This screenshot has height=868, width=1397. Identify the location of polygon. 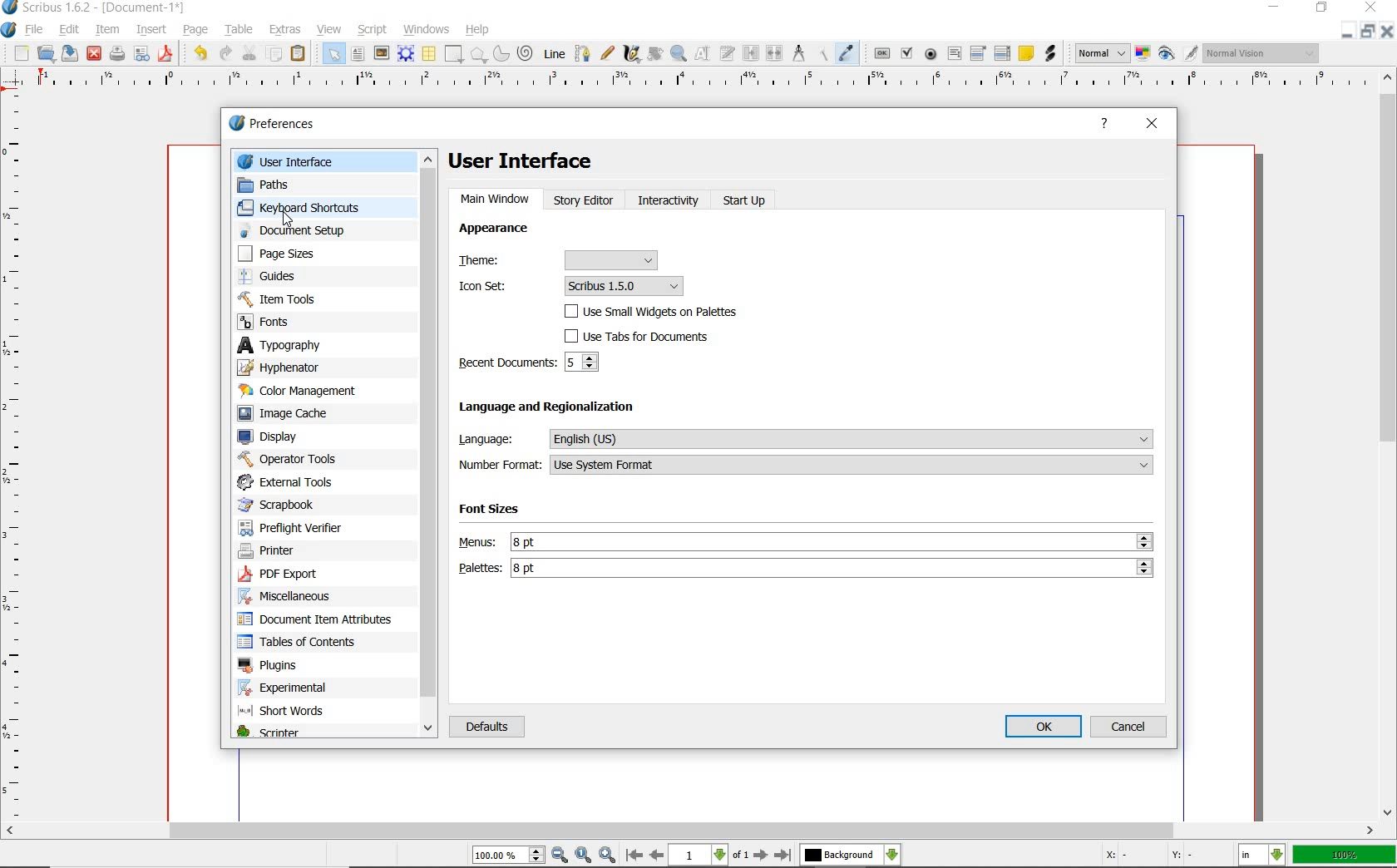
(478, 55).